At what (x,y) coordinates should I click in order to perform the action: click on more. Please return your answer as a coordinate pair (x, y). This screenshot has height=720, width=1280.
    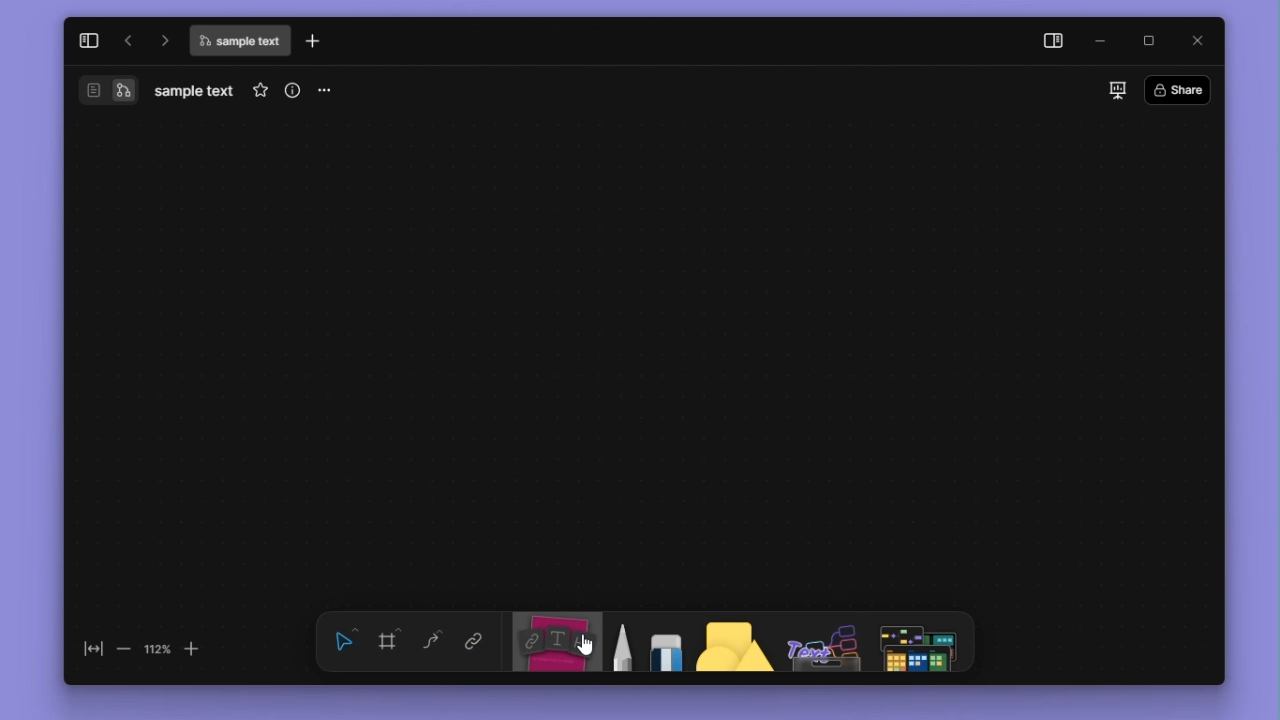
    Looking at the image, I should click on (322, 92).